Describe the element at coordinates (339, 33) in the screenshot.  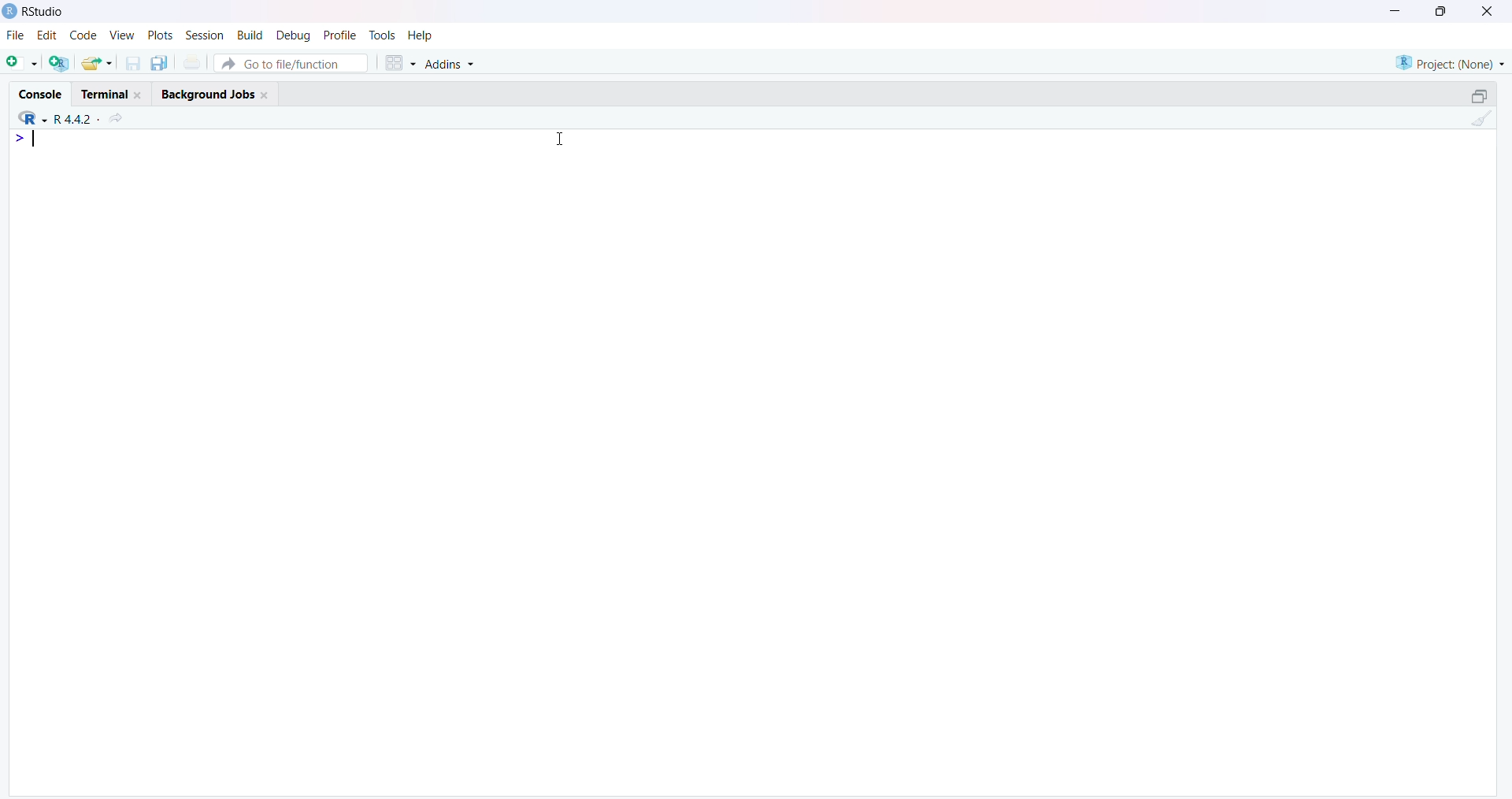
I see `Profile` at that location.